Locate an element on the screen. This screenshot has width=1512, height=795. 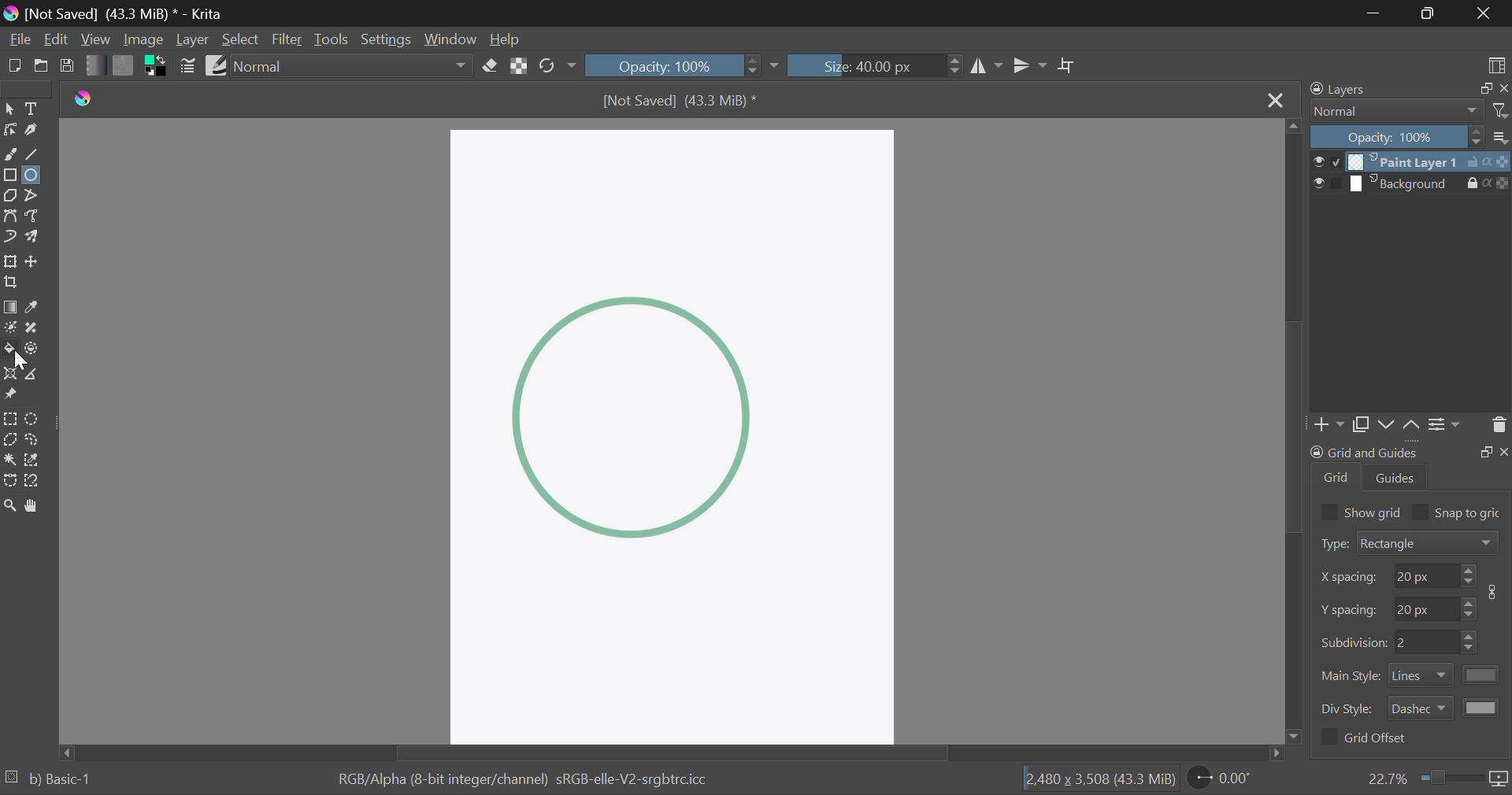
Calligraphic Tool is located at coordinates (32, 130).